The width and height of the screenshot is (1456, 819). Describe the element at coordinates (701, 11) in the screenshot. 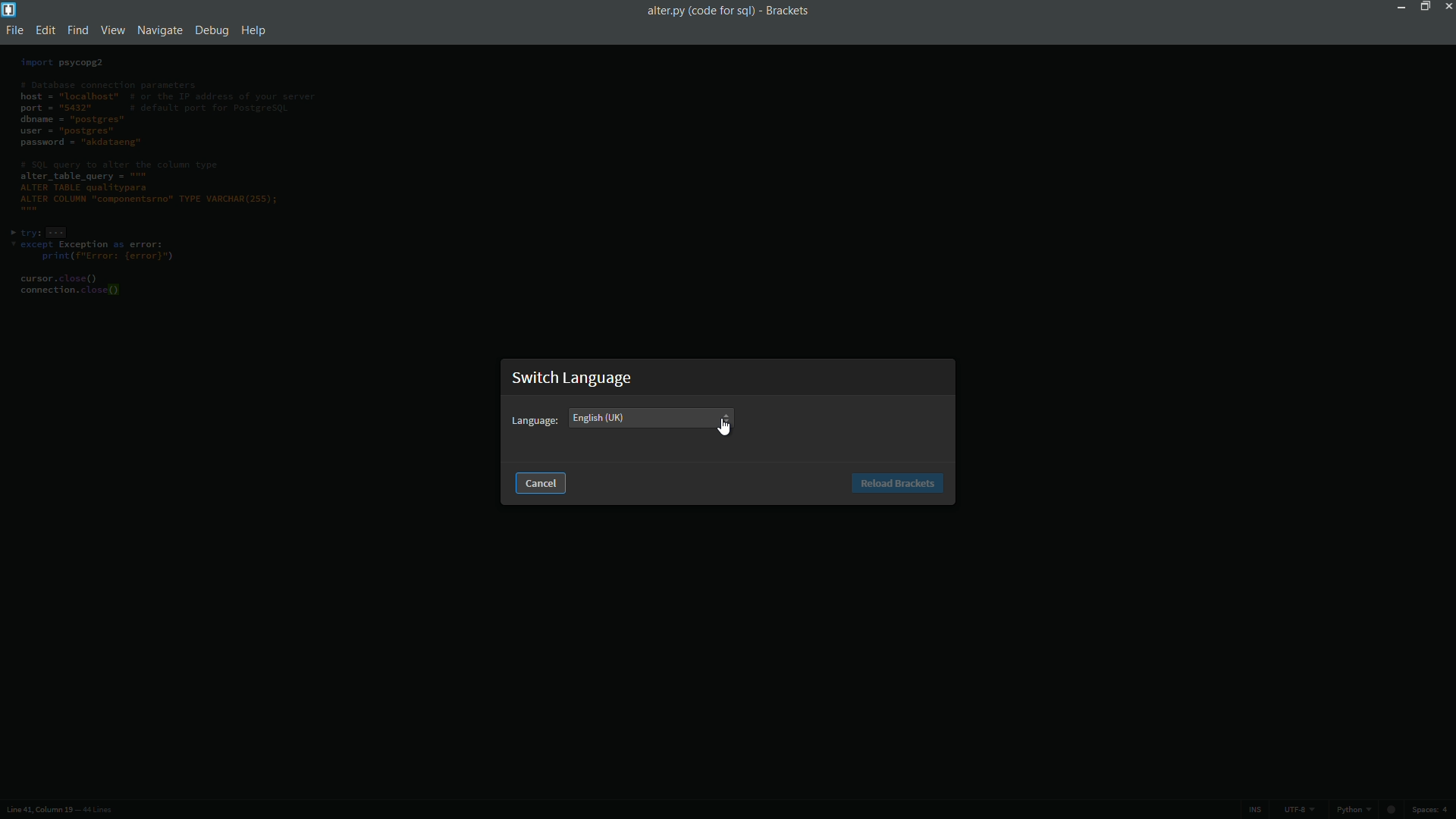

I see `file namez` at that location.